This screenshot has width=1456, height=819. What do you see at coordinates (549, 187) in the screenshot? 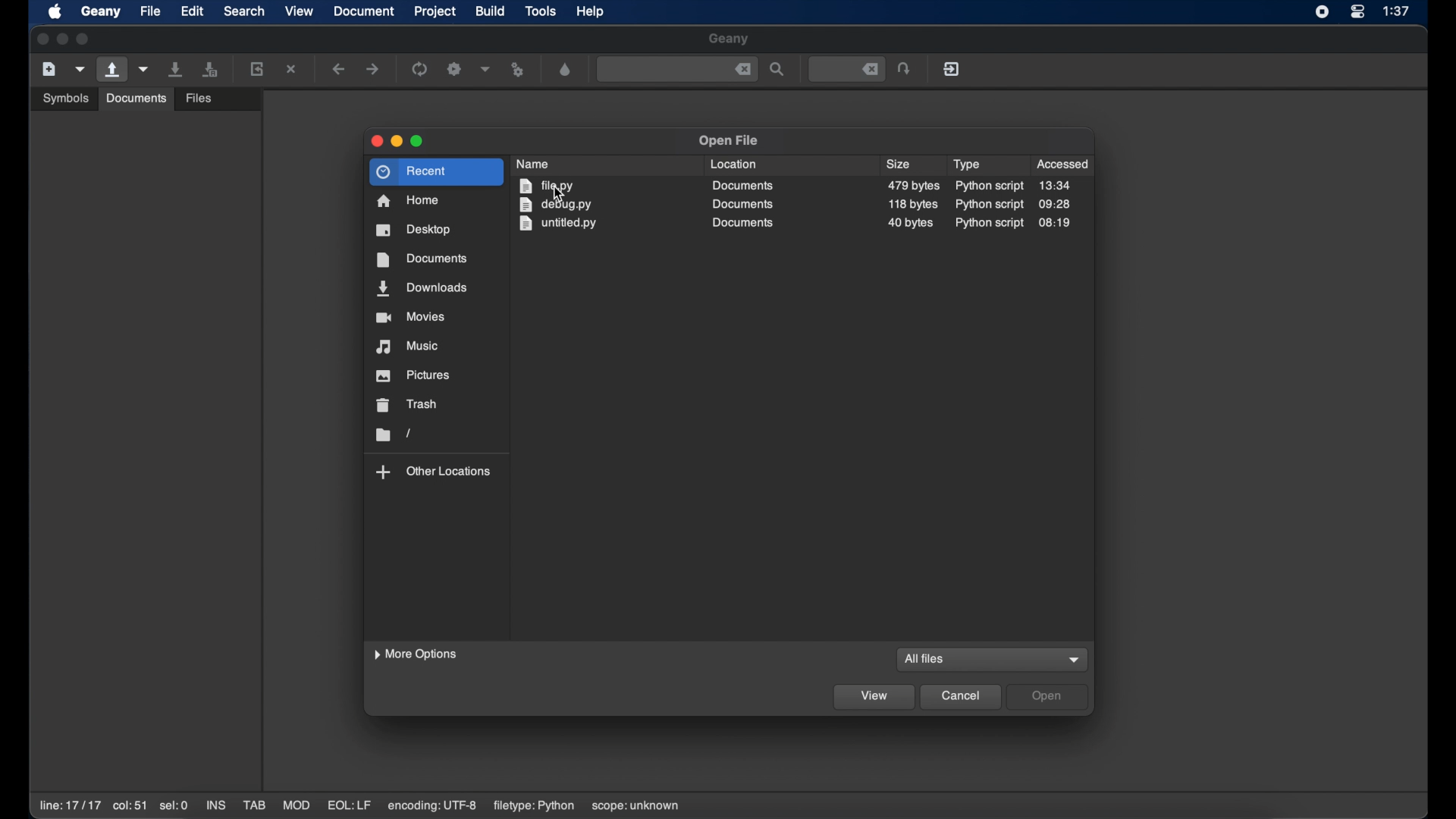
I see `file.py` at bounding box center [549, 187].